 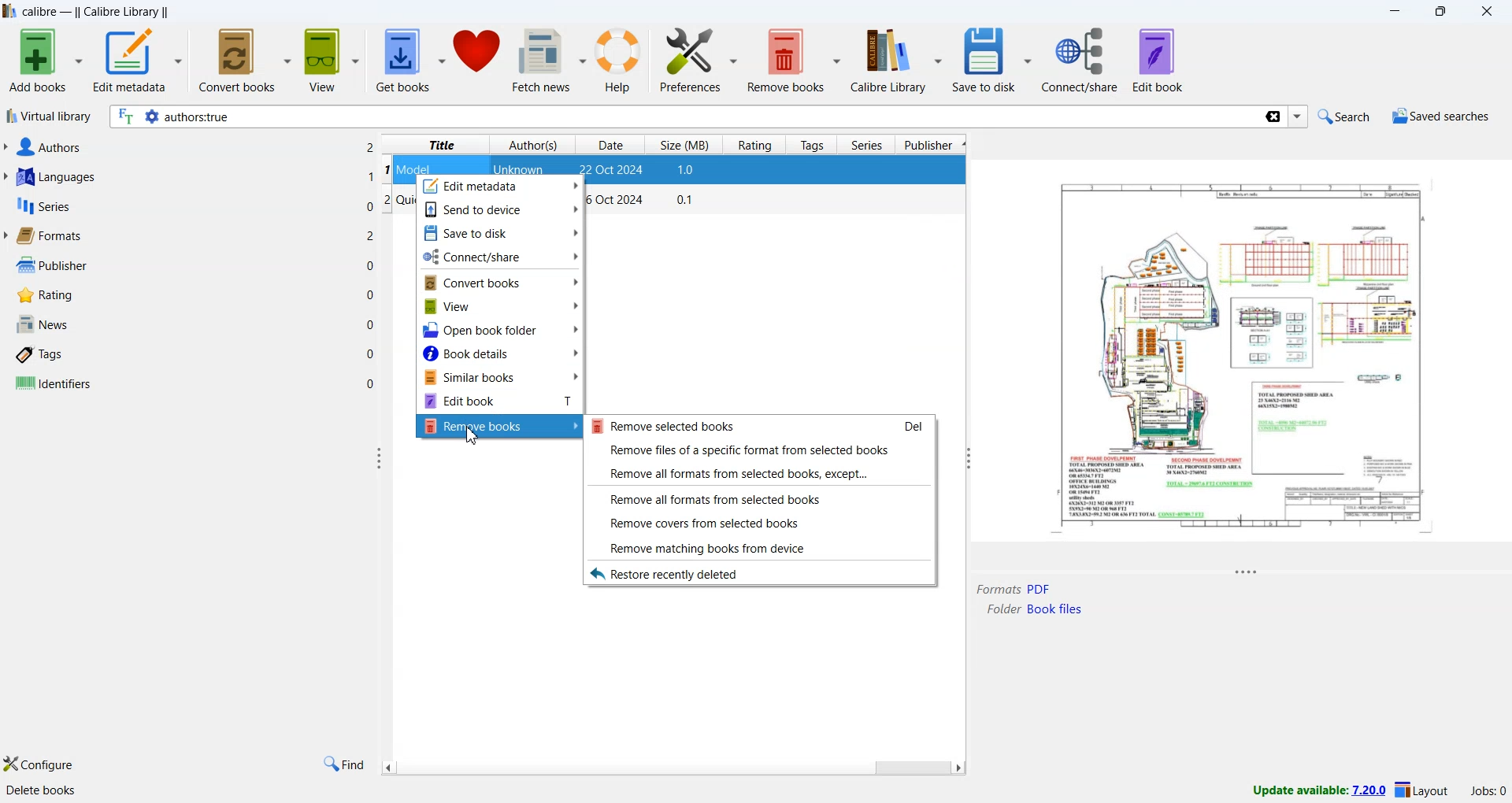 I want to click on Remove matching books from devices, so click(x=758, y=547).